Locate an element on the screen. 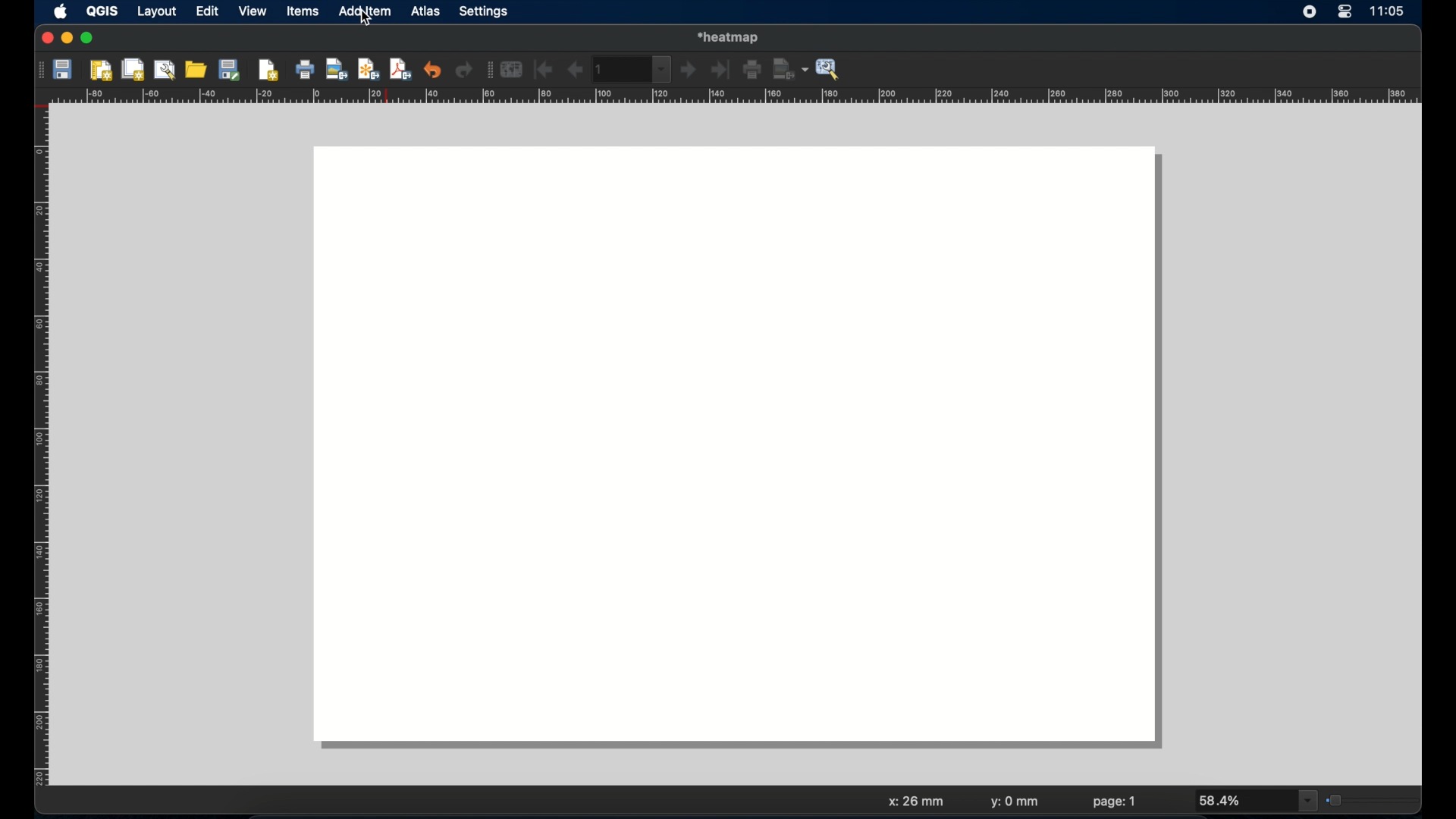 This screenshot has width=1456, height=819. time is located at coordinates (1390, 12).